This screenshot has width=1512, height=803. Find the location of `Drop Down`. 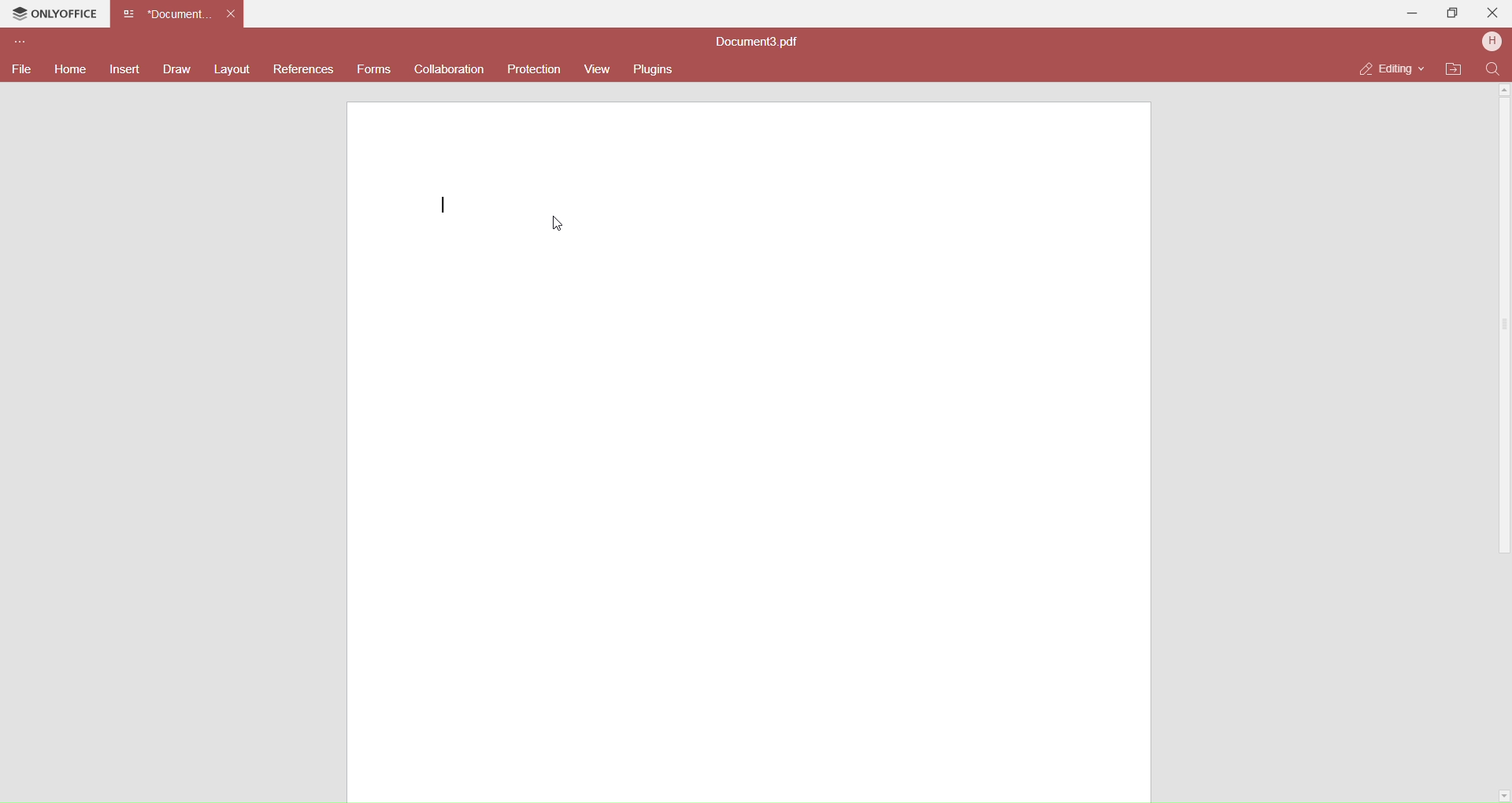

Drop Down is located at coordinates (1424, 67).